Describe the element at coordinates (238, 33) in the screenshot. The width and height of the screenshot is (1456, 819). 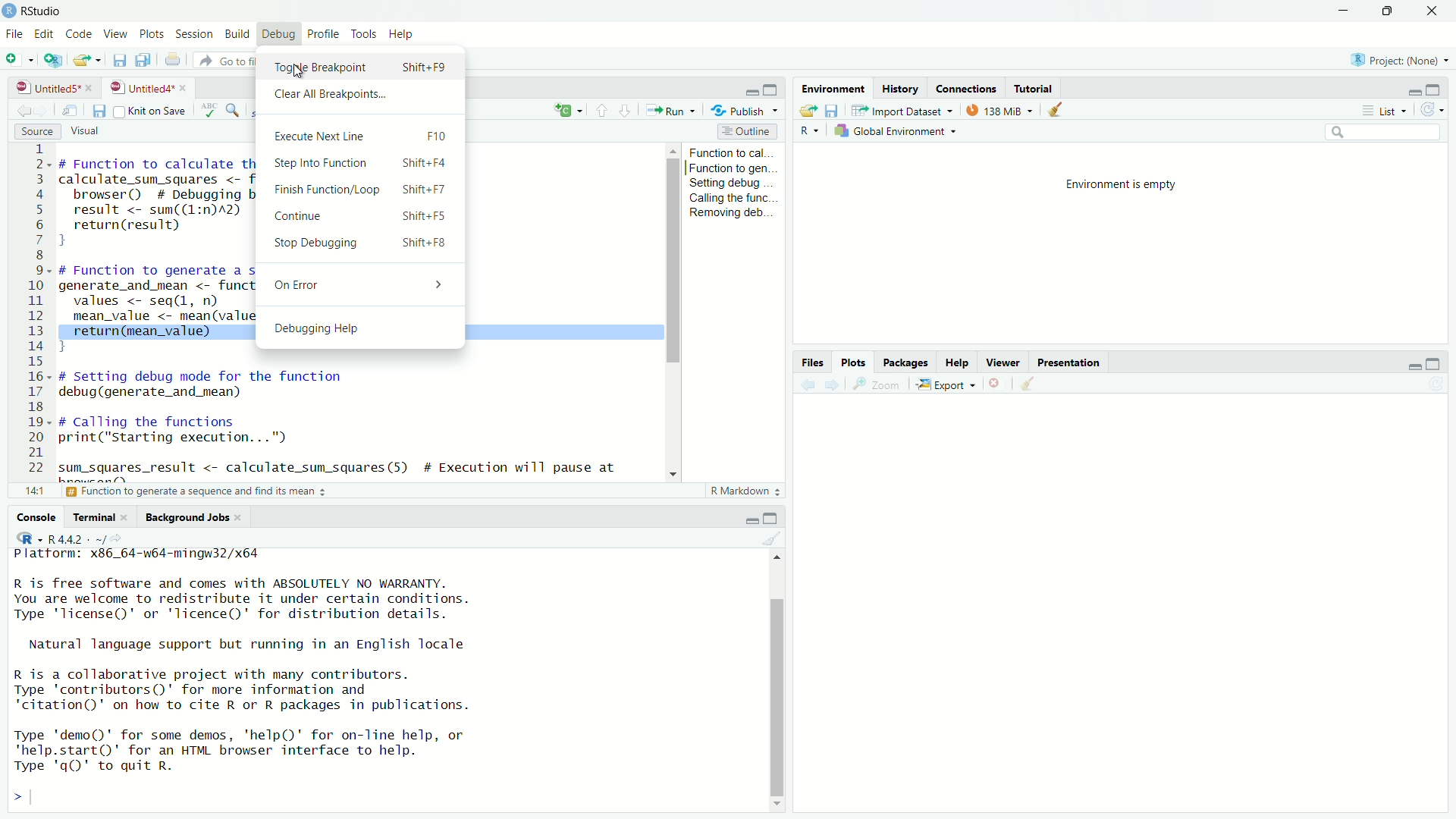
I see `build` at that location.